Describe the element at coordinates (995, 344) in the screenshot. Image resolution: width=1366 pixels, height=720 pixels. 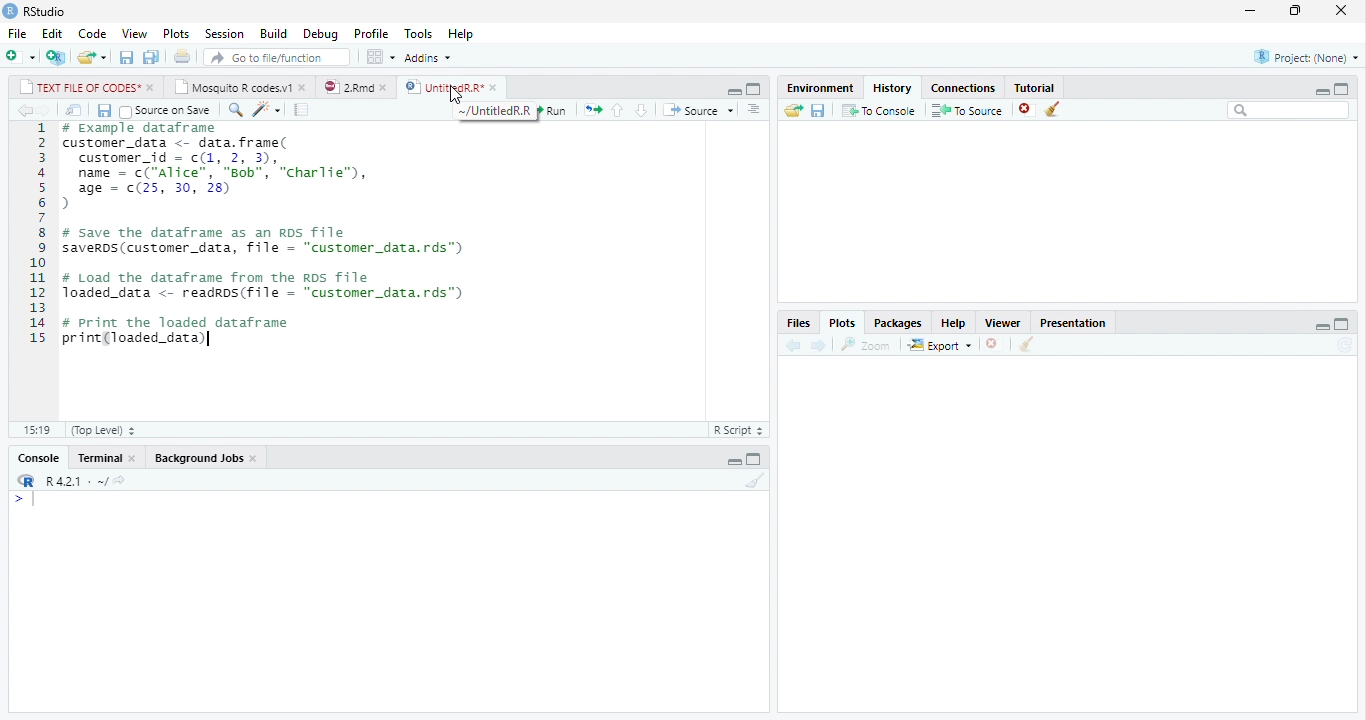
I see `close` at that location.